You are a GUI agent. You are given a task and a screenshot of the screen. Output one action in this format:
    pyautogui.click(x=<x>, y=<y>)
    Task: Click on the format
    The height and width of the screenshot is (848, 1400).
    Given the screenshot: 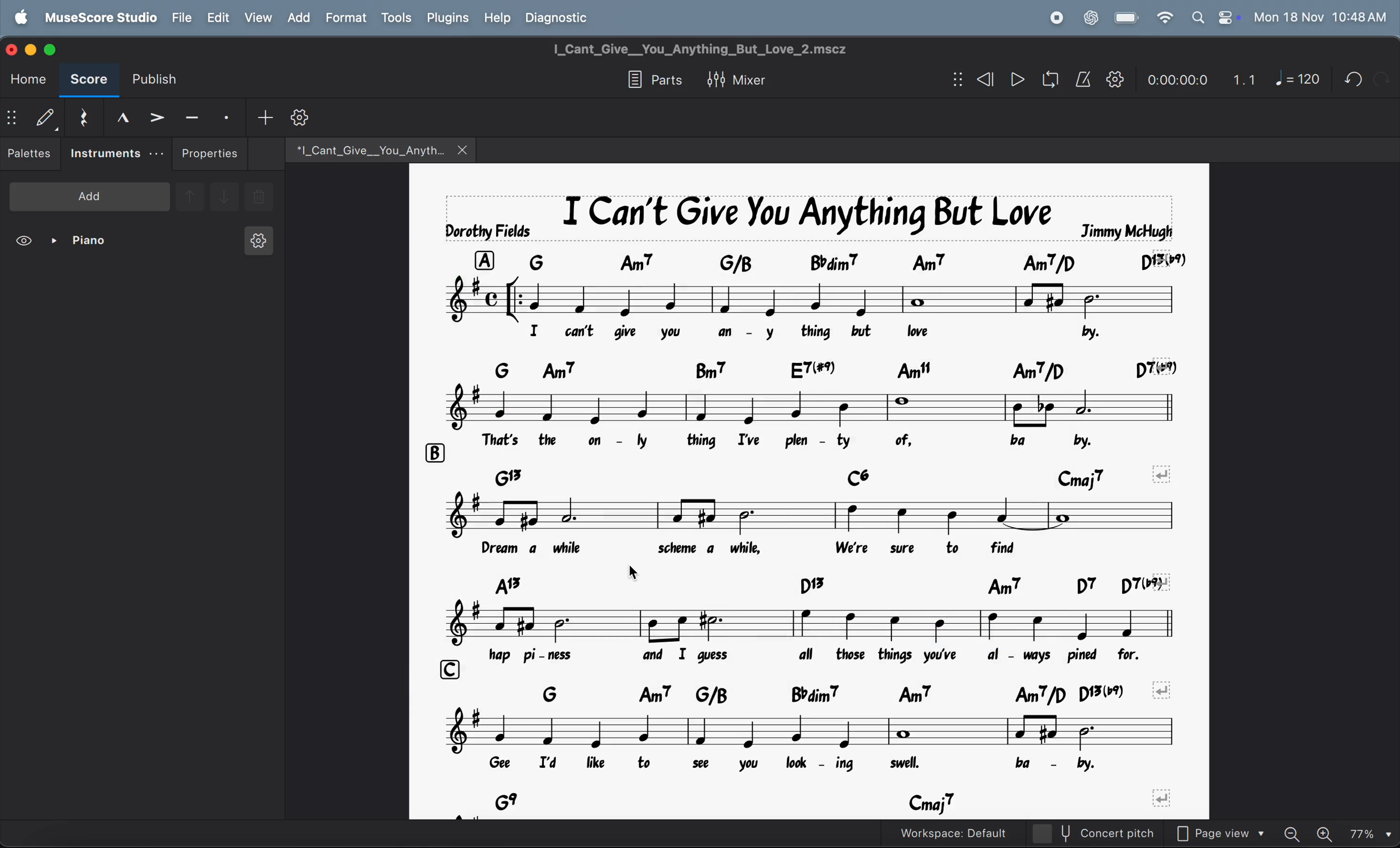 What is the action you would take?
    pyautogui.click(x=345, y=18)
    